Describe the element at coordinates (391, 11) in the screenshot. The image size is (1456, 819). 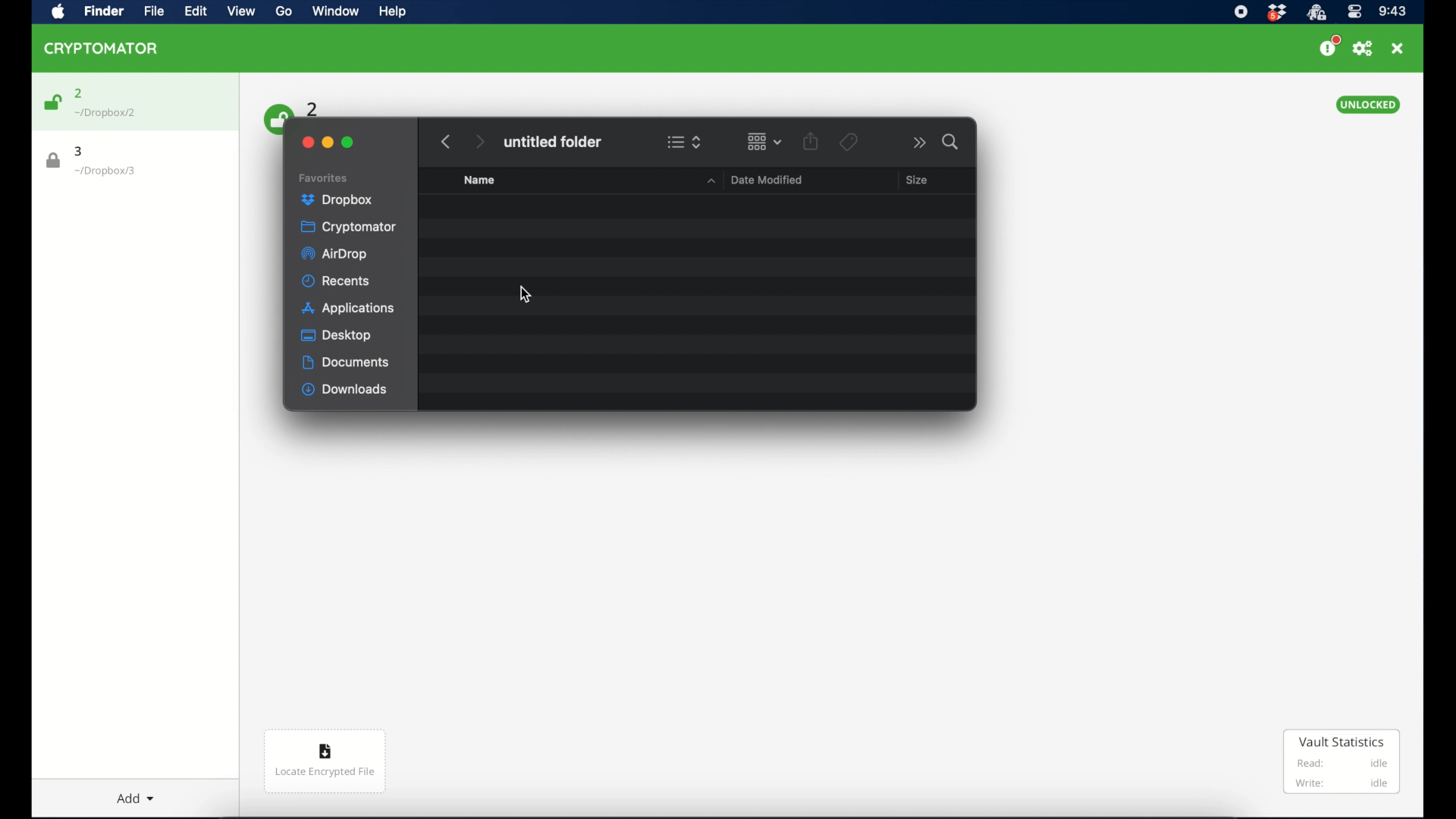
I see `help` at that location.